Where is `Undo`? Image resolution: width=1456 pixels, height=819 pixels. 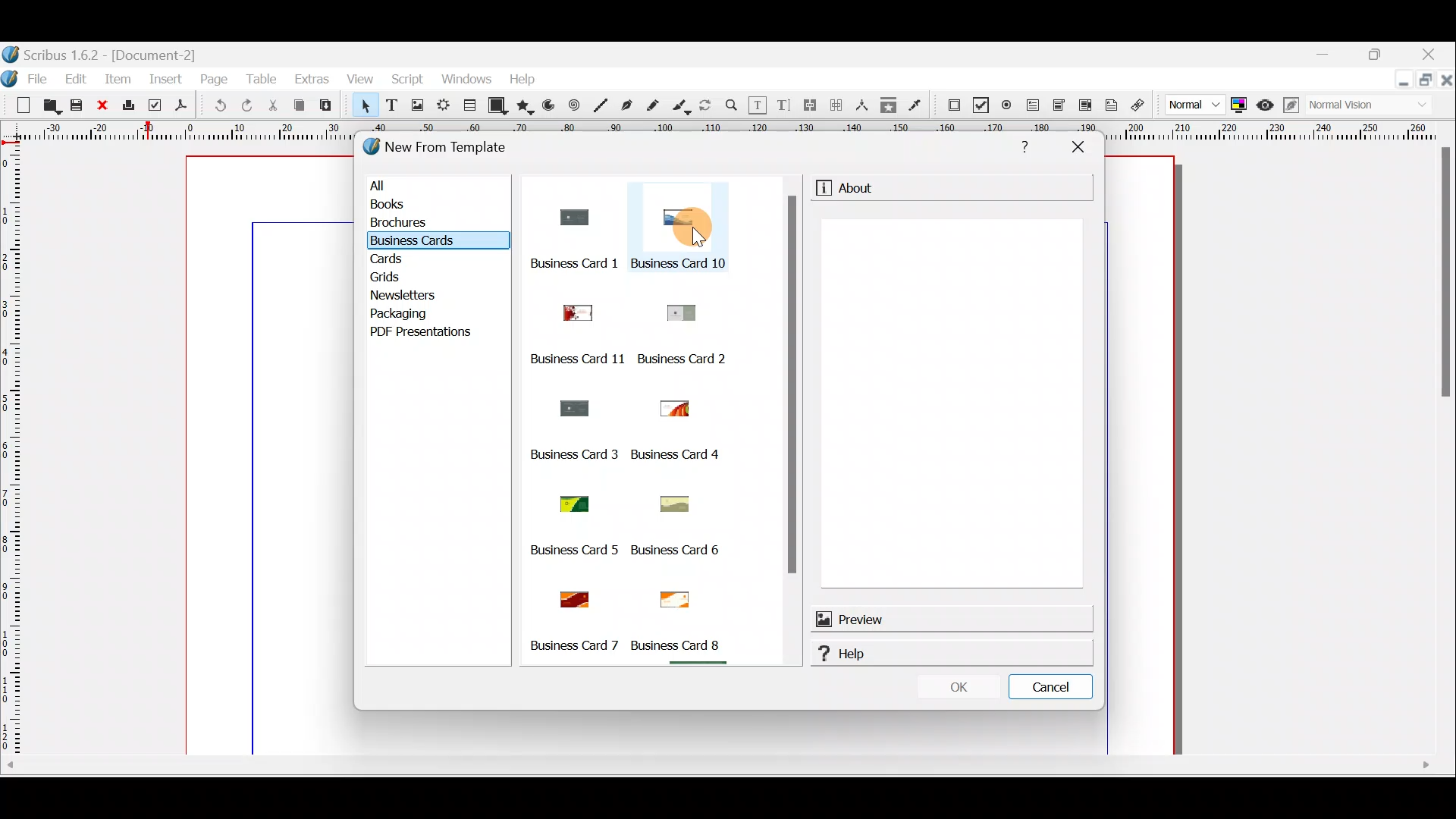 Undo is located at coordinates (220, 106).